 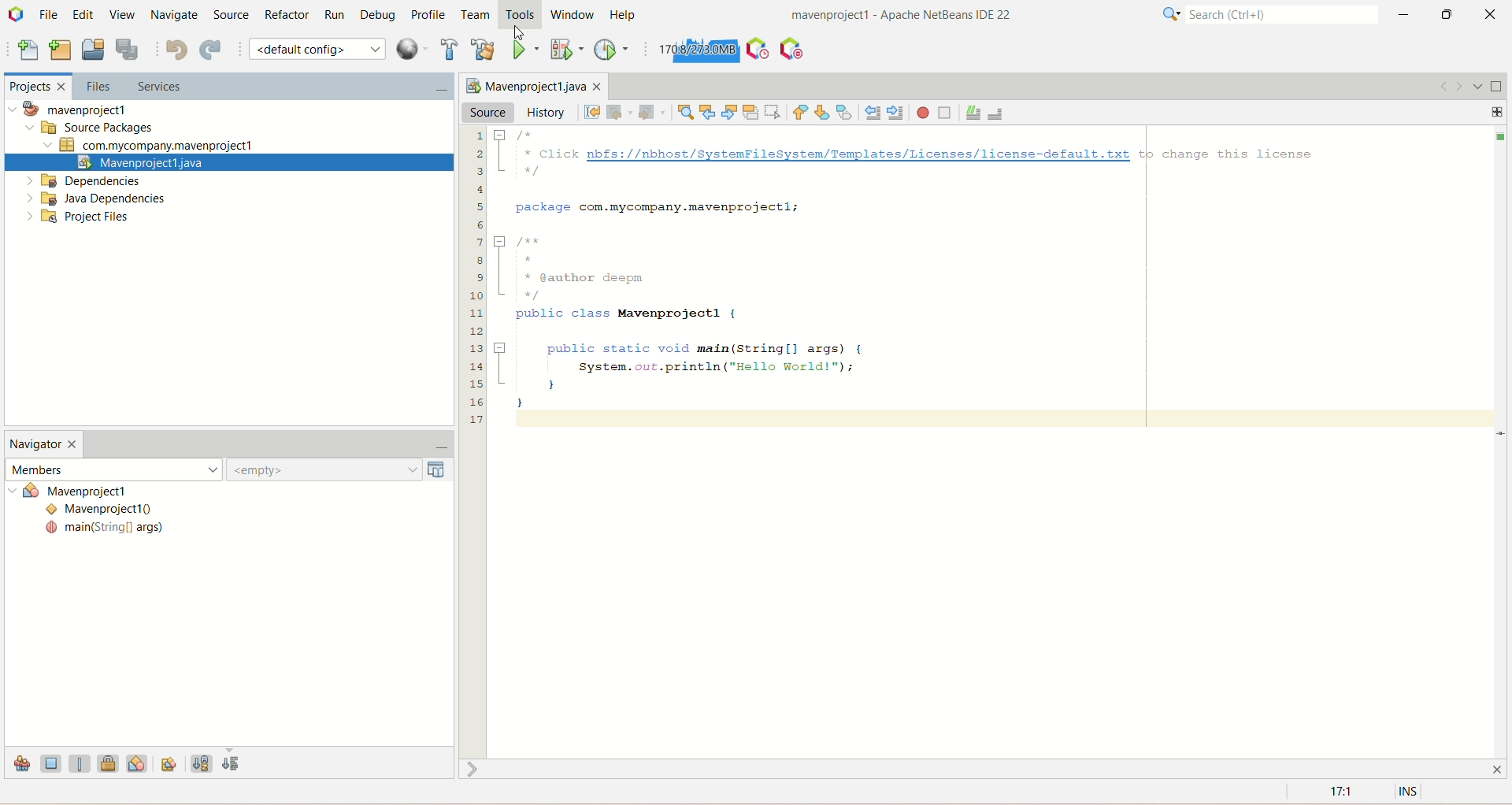 What do you see at coordinates (525, 48) in the screenshot?
I see `run project` at bounding box center [525, 48].